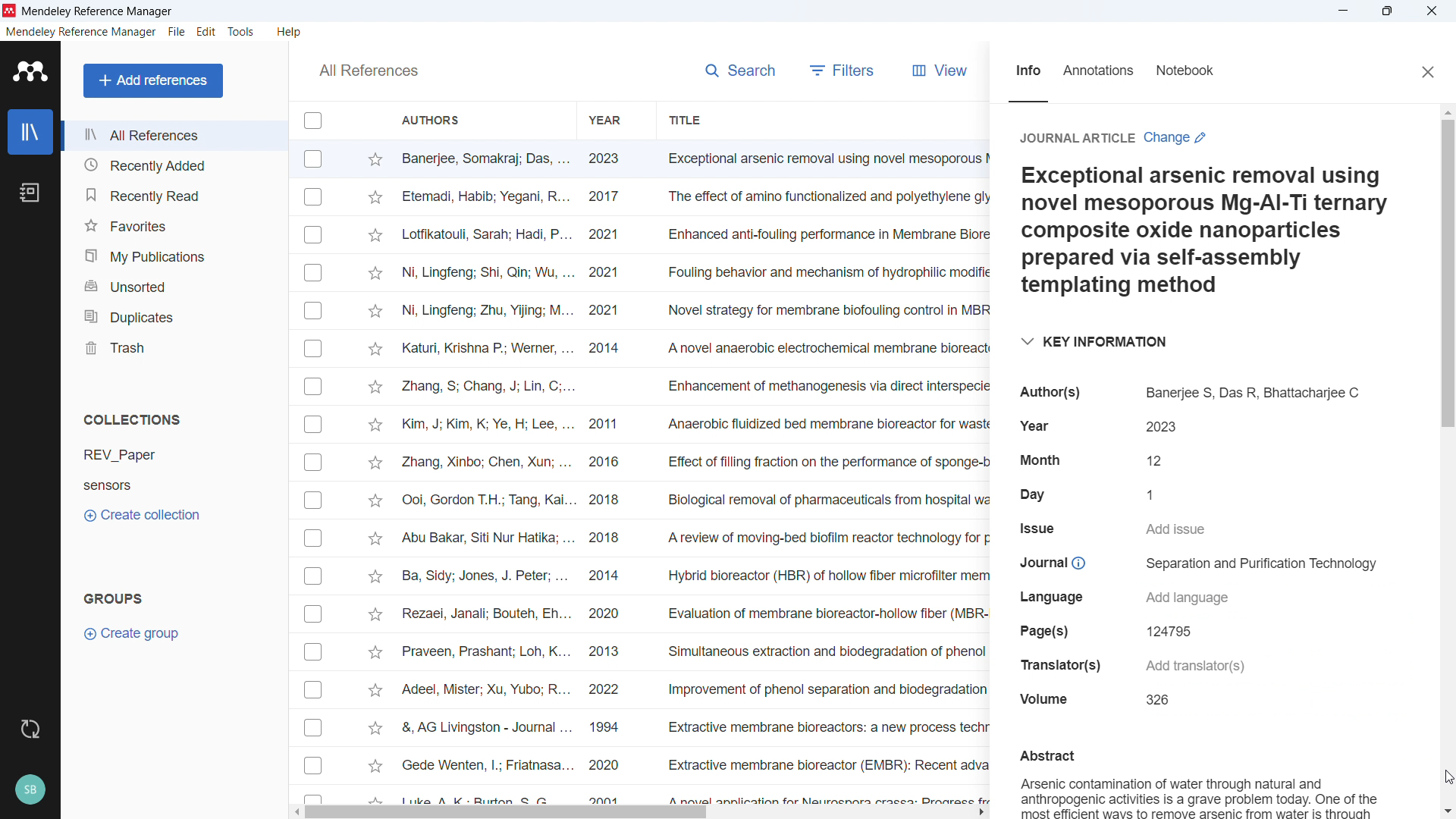 The height and width of the screenshot is (819, 1456). I want to click on issue, so click(1040, 527).